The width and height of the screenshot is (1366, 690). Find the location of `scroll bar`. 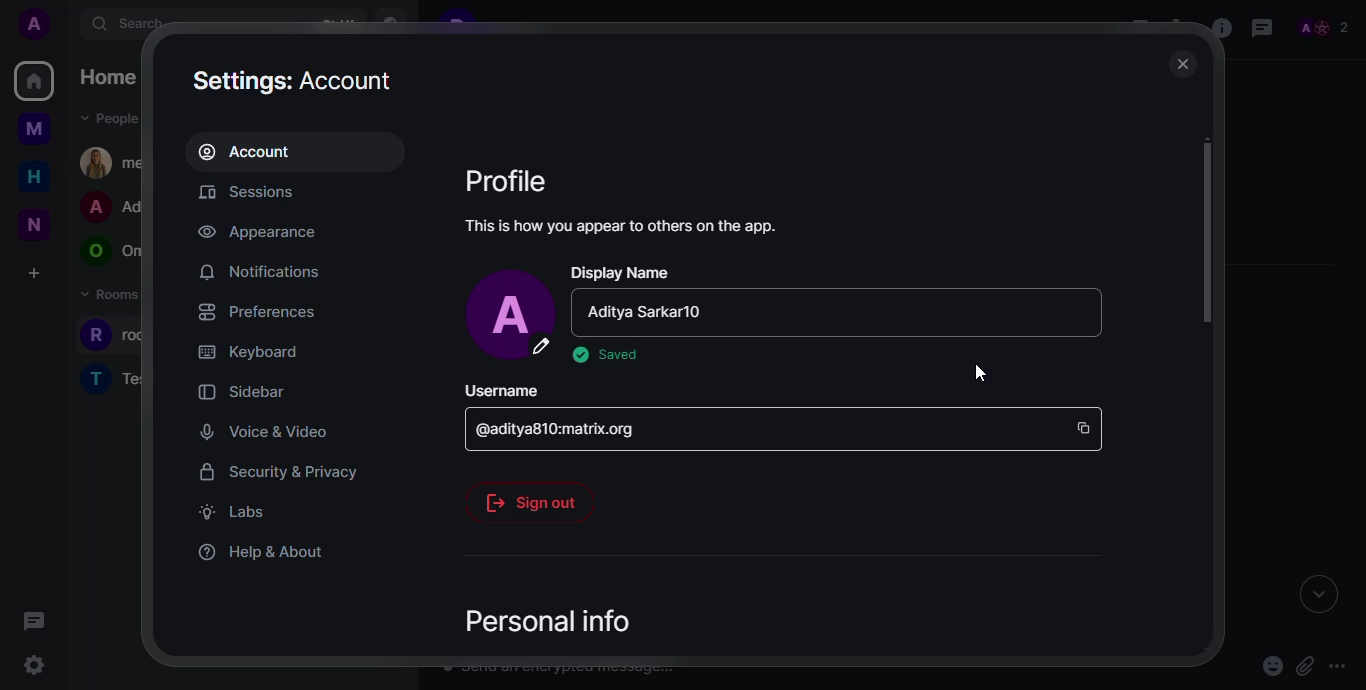

scroll bar is located at coordinates (1207, 246).